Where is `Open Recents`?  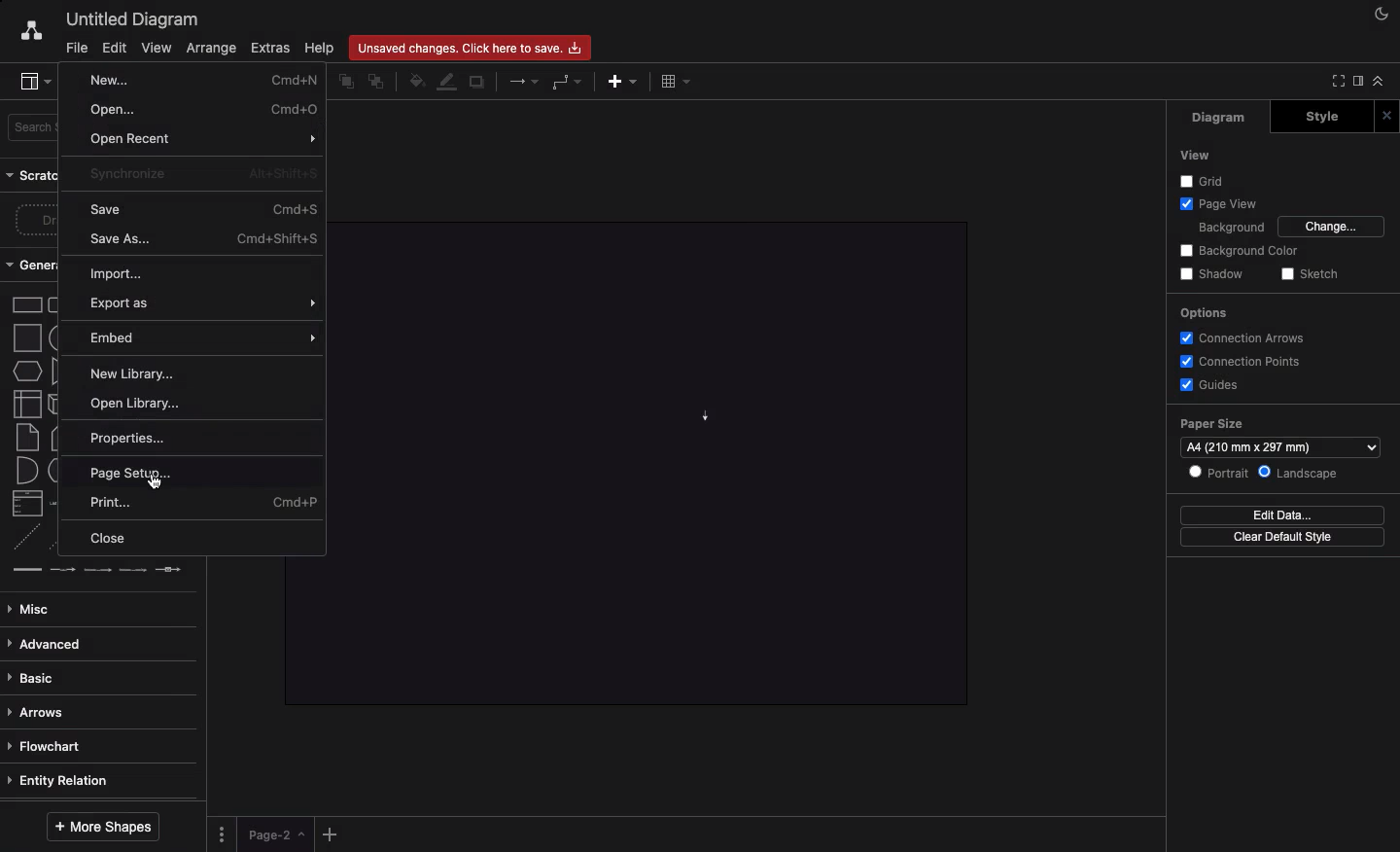
Open Recents is located at coordinates (132, 139).